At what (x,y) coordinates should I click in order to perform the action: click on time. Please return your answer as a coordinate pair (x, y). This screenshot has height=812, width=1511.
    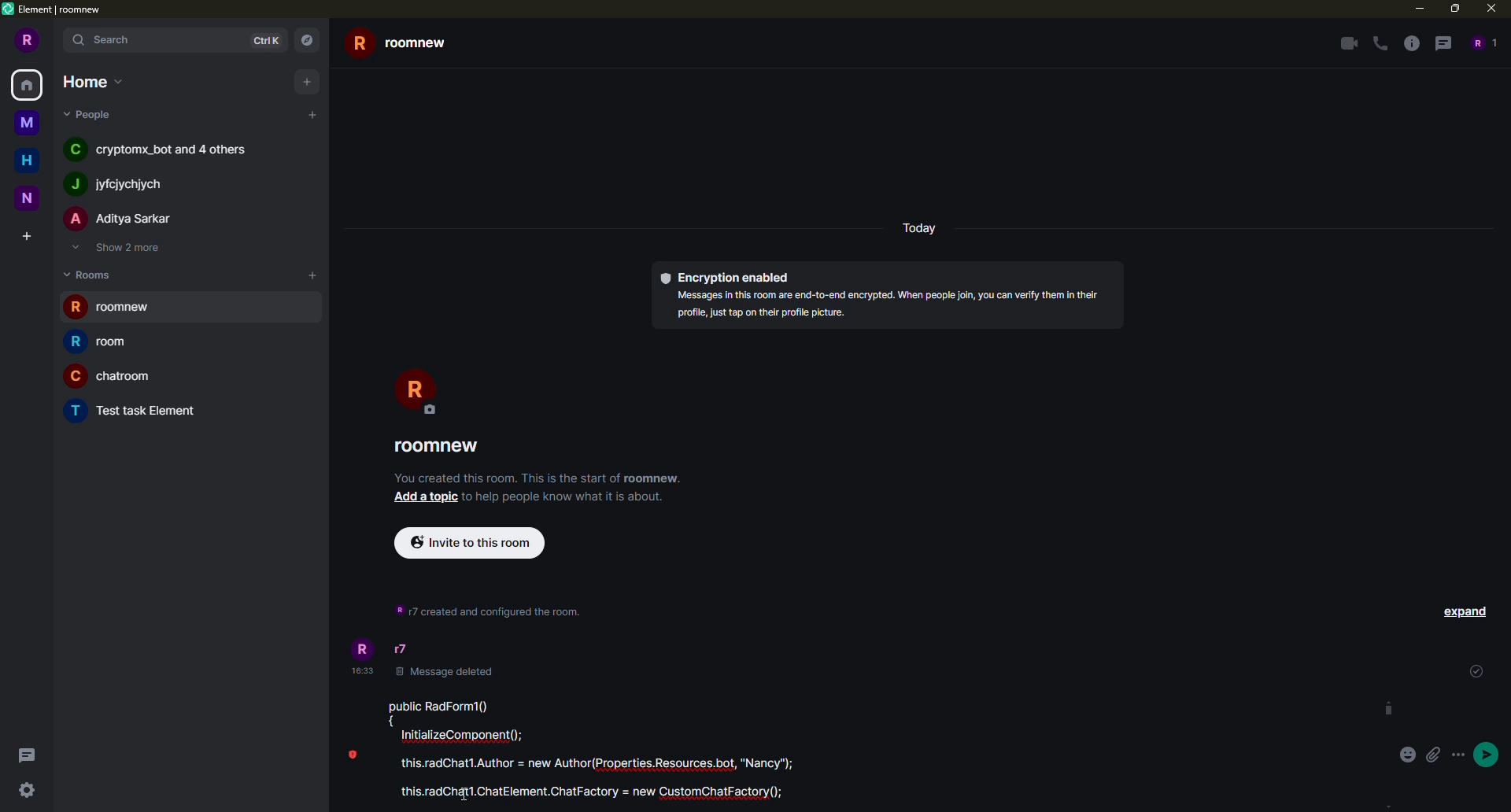
    Looking at the image, I should click on (364, 672).